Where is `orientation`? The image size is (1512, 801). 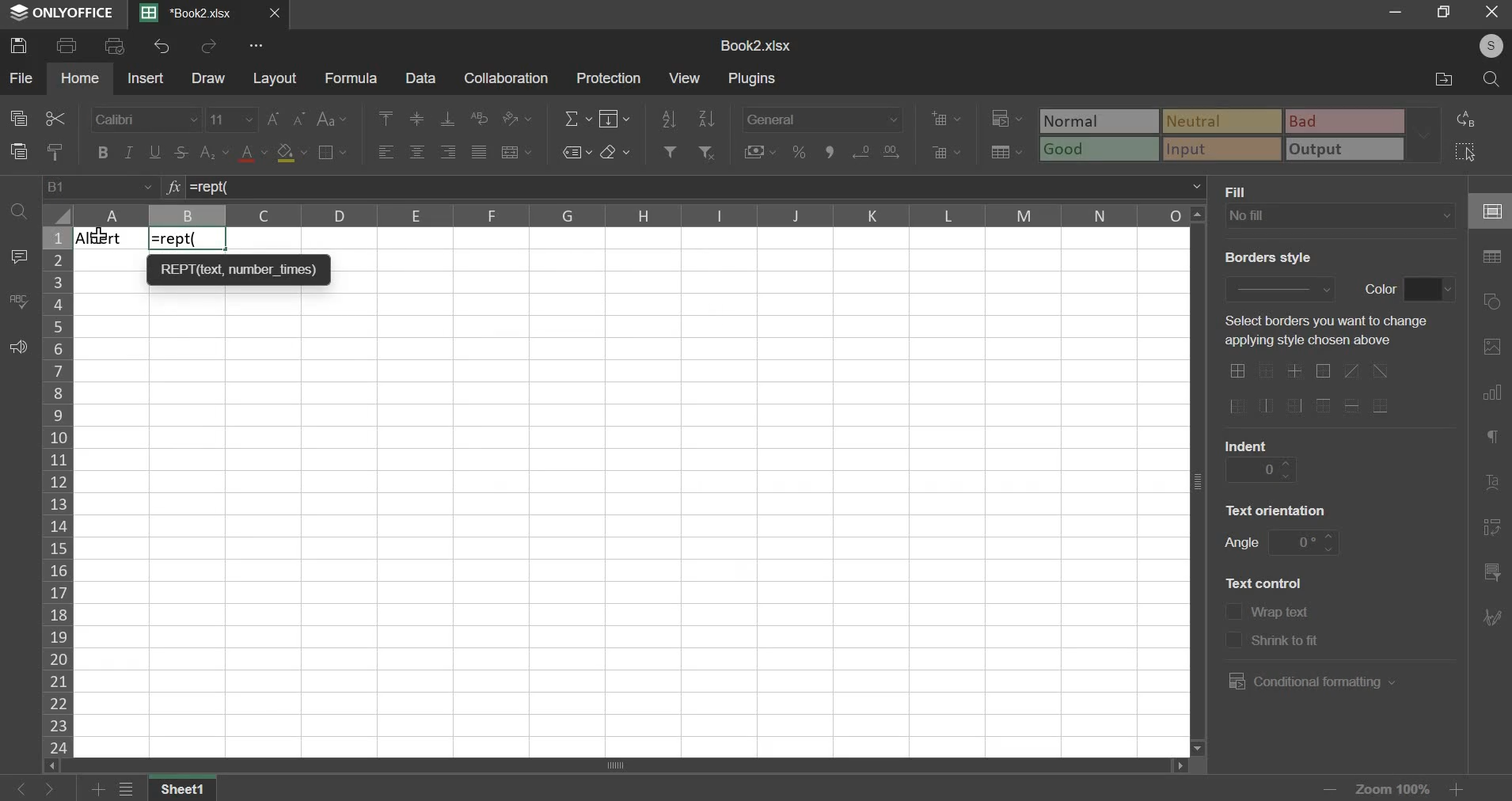
orientation is located at coordinates (515, 117).